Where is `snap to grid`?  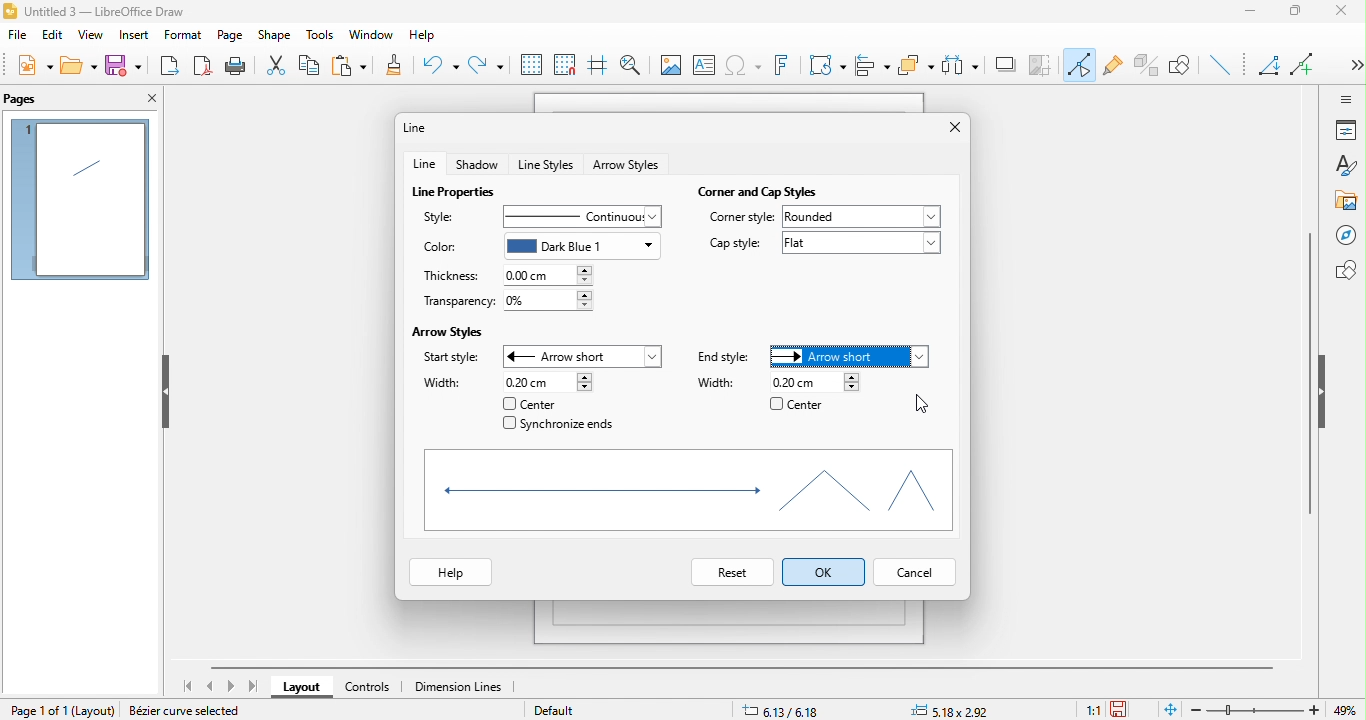
snap to grid is located at coordinates (564, 65).